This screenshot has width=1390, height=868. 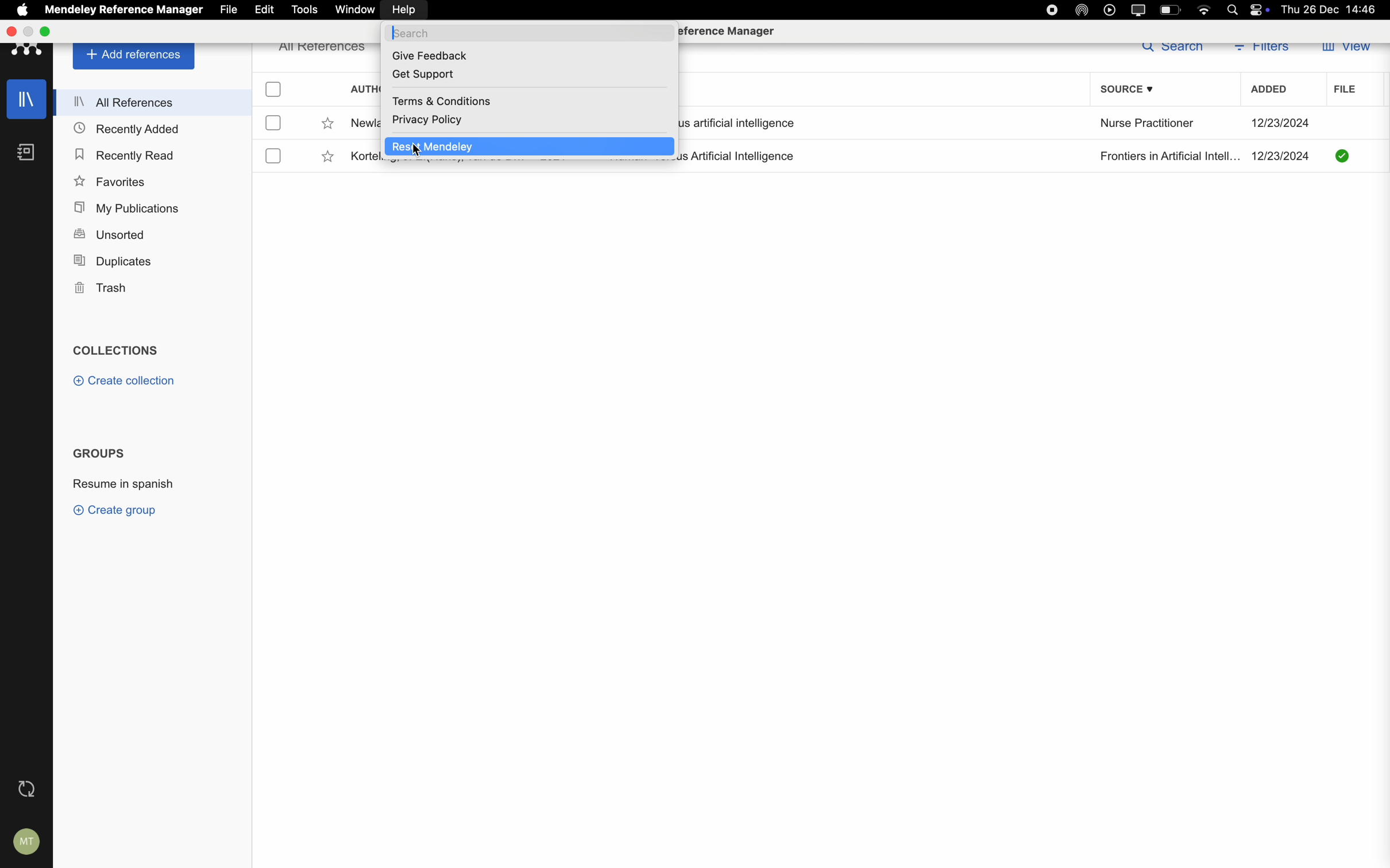 What do you see at coordinates (1334, 10) in the screenshot?
I see `Thu 26 Dec  14:46` at bounding box center [1334, 10].